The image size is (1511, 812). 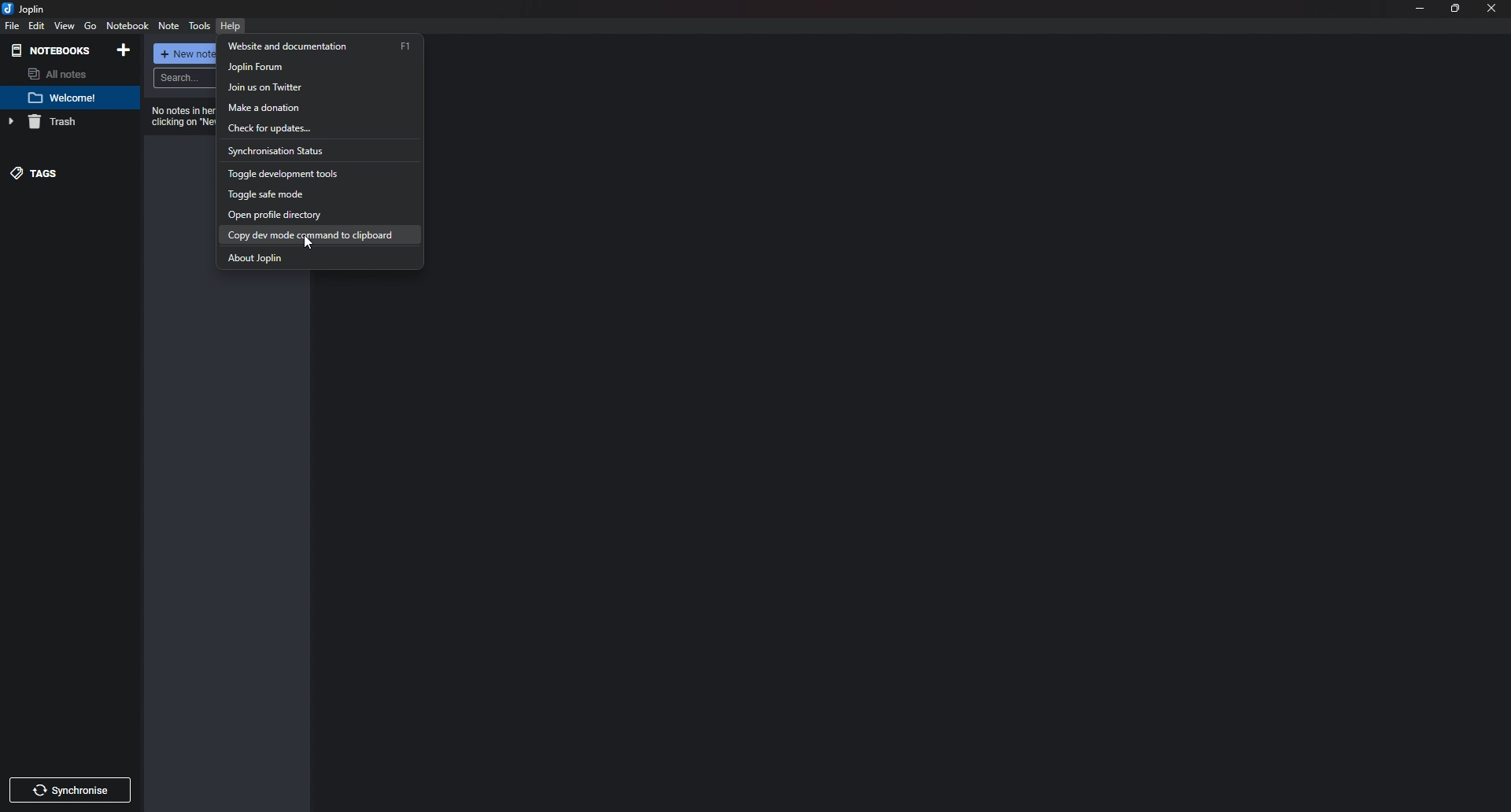 I want to click on Toggle development tools, so click(x=312, y=175).